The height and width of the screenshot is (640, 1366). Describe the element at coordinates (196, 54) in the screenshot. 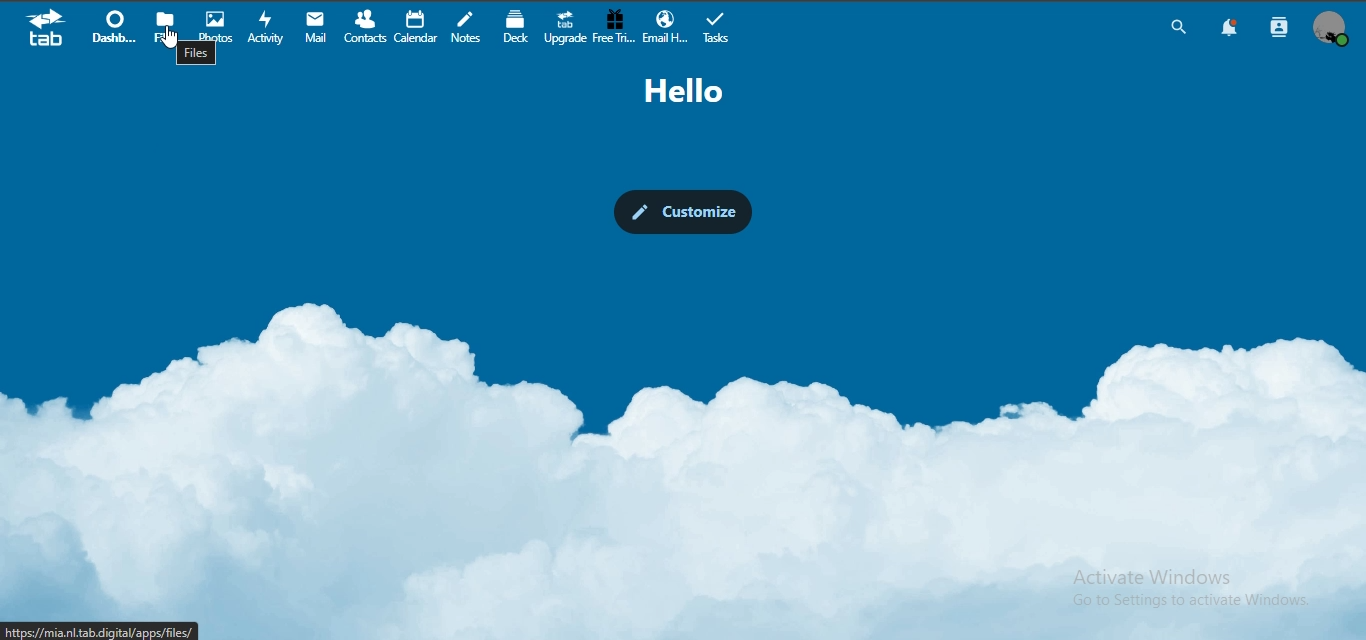

I see `files` at that location.